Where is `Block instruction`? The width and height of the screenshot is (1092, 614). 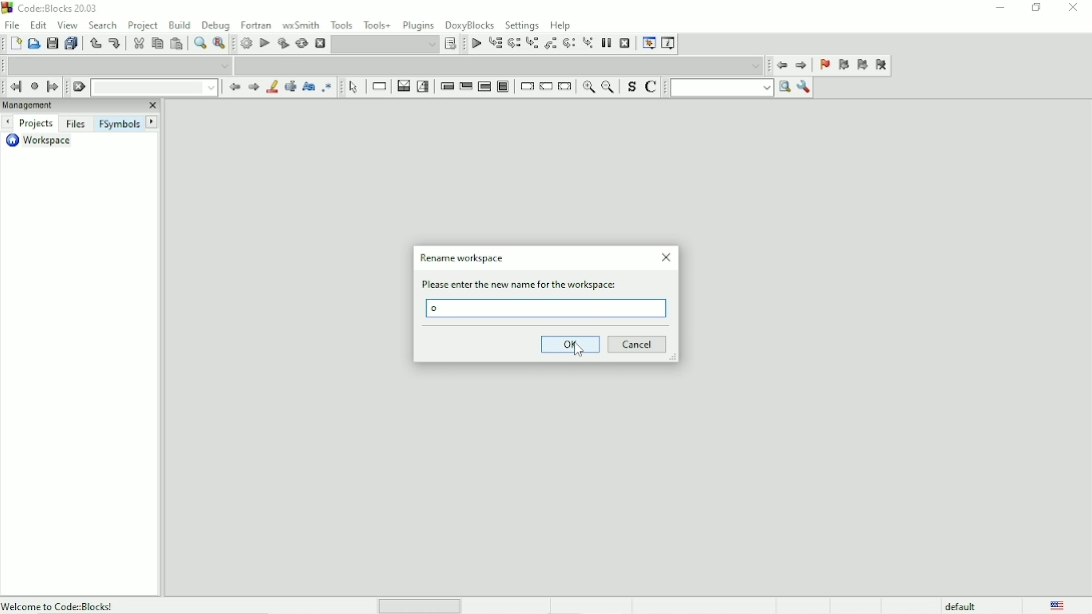
Block instruction is located at coordinates (504, 88).